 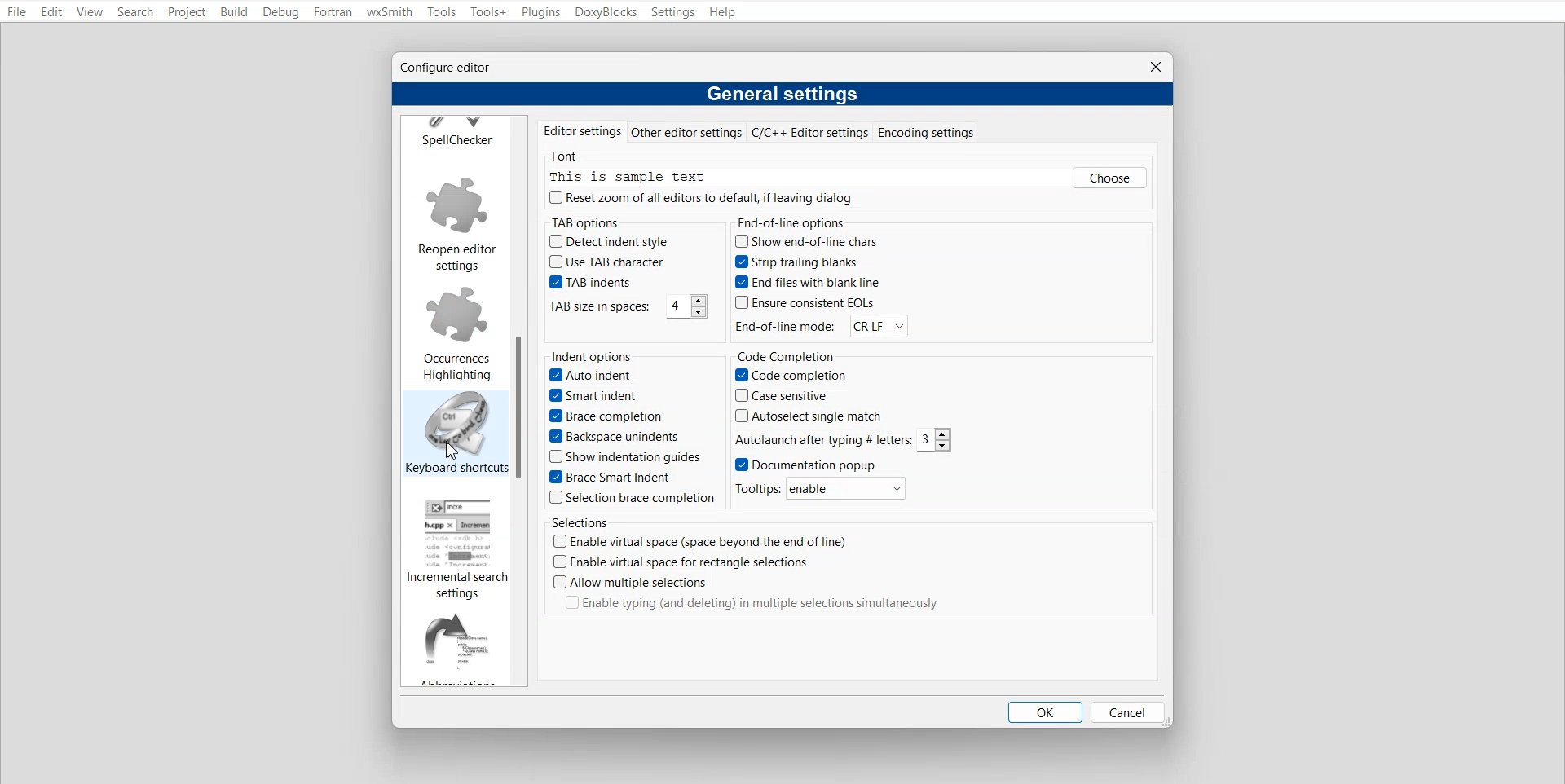 I want to click on Tools, so click(x=442, y=12).